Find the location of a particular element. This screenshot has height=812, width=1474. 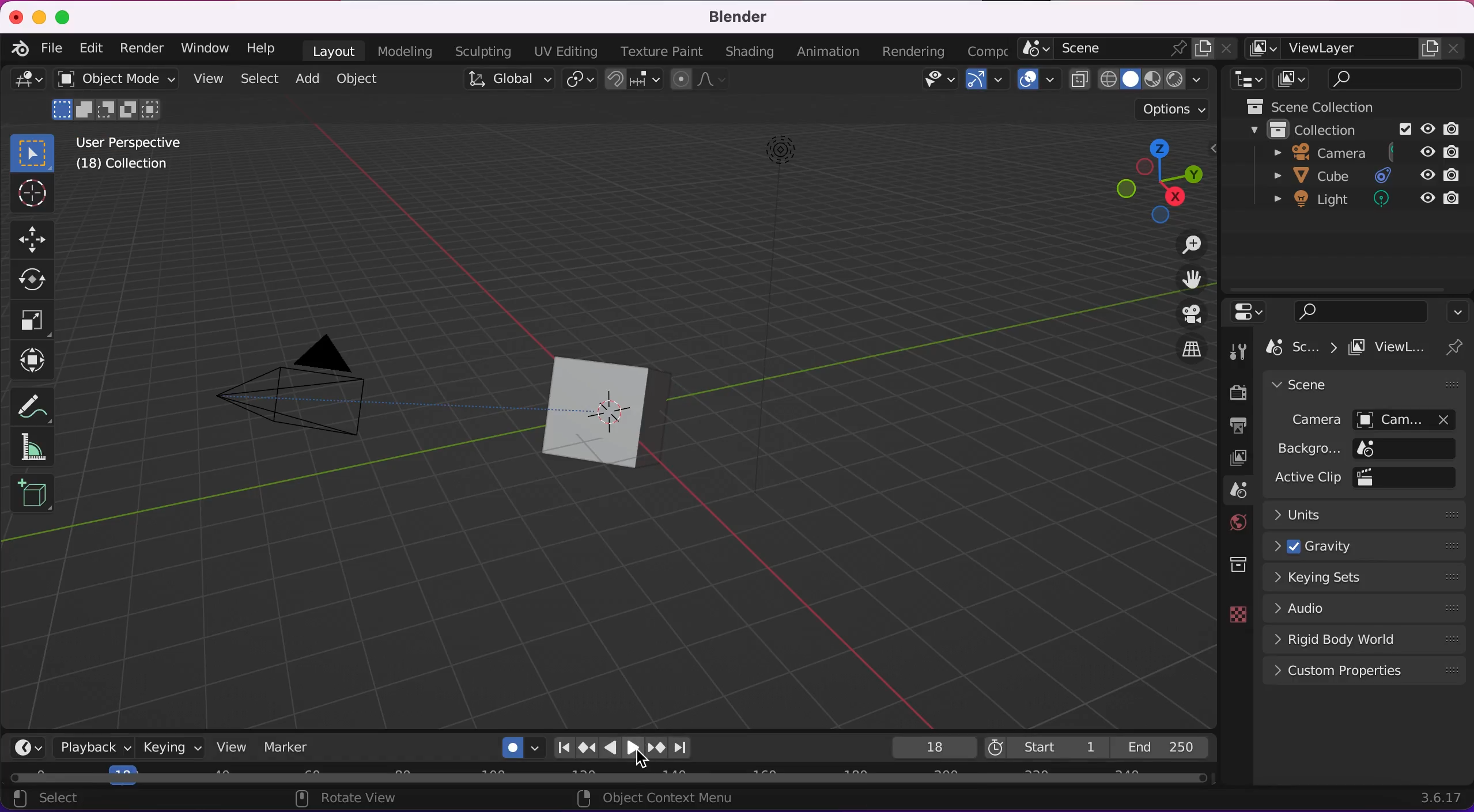

object mode is located at coordinates (114, 96).